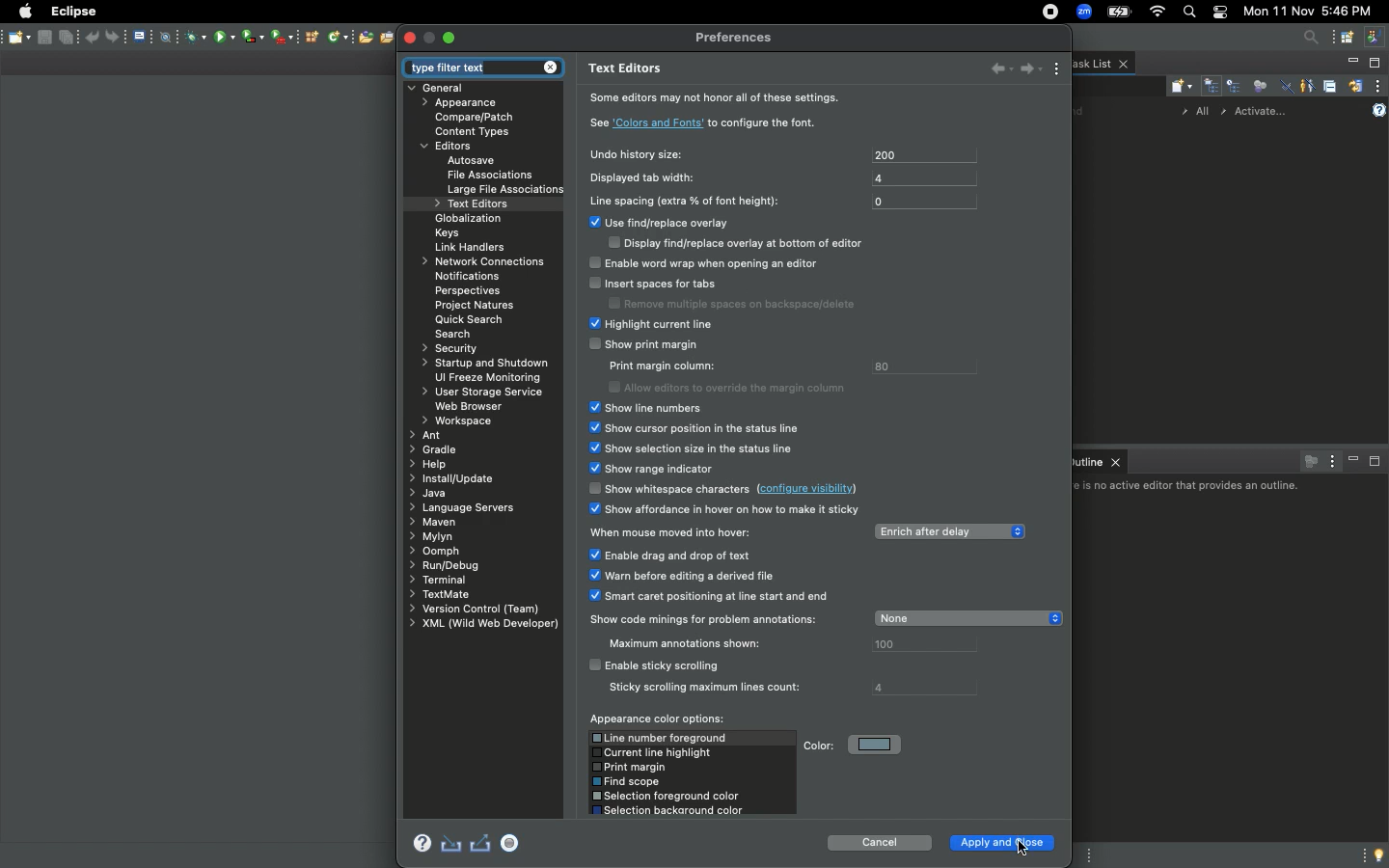 This screenshot has height=868, width=1389. Describe the element at coordinates (449, 593) in the screenshot. I see `Text mate` at that location.